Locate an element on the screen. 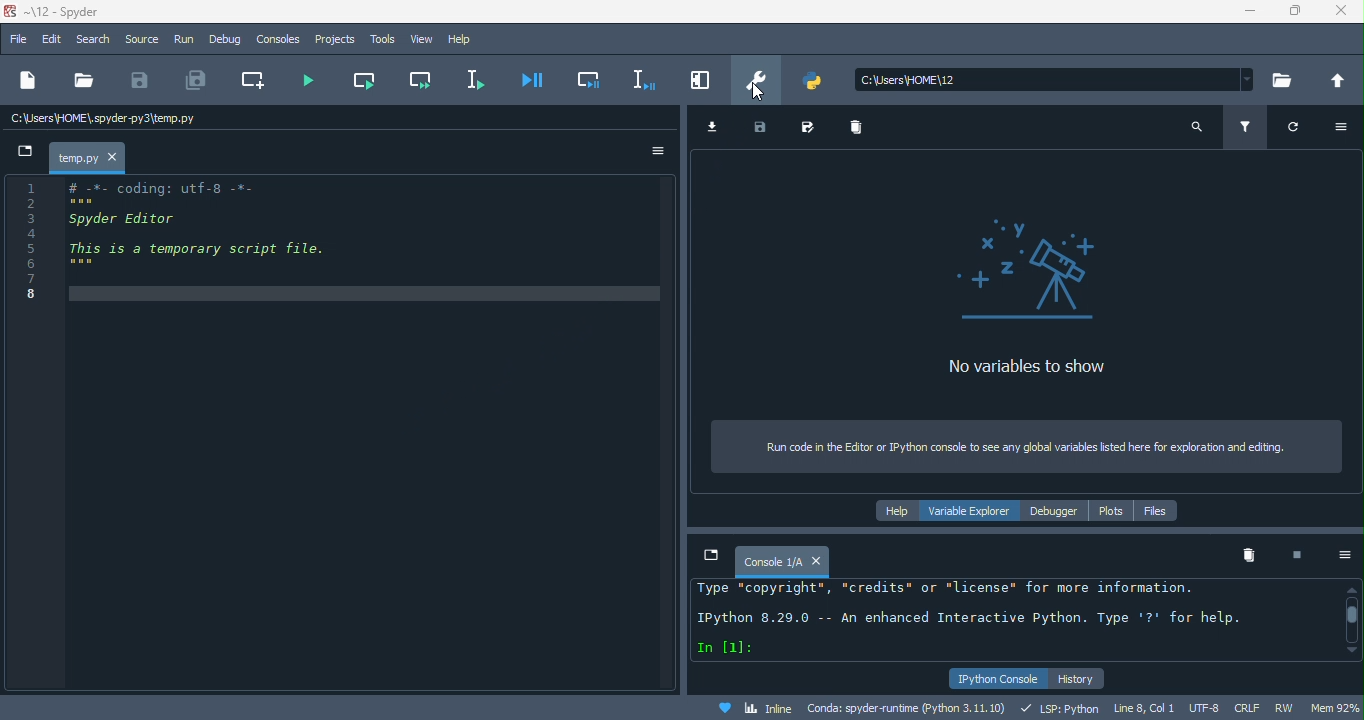  debug cell is located at coordinates (584, 79).